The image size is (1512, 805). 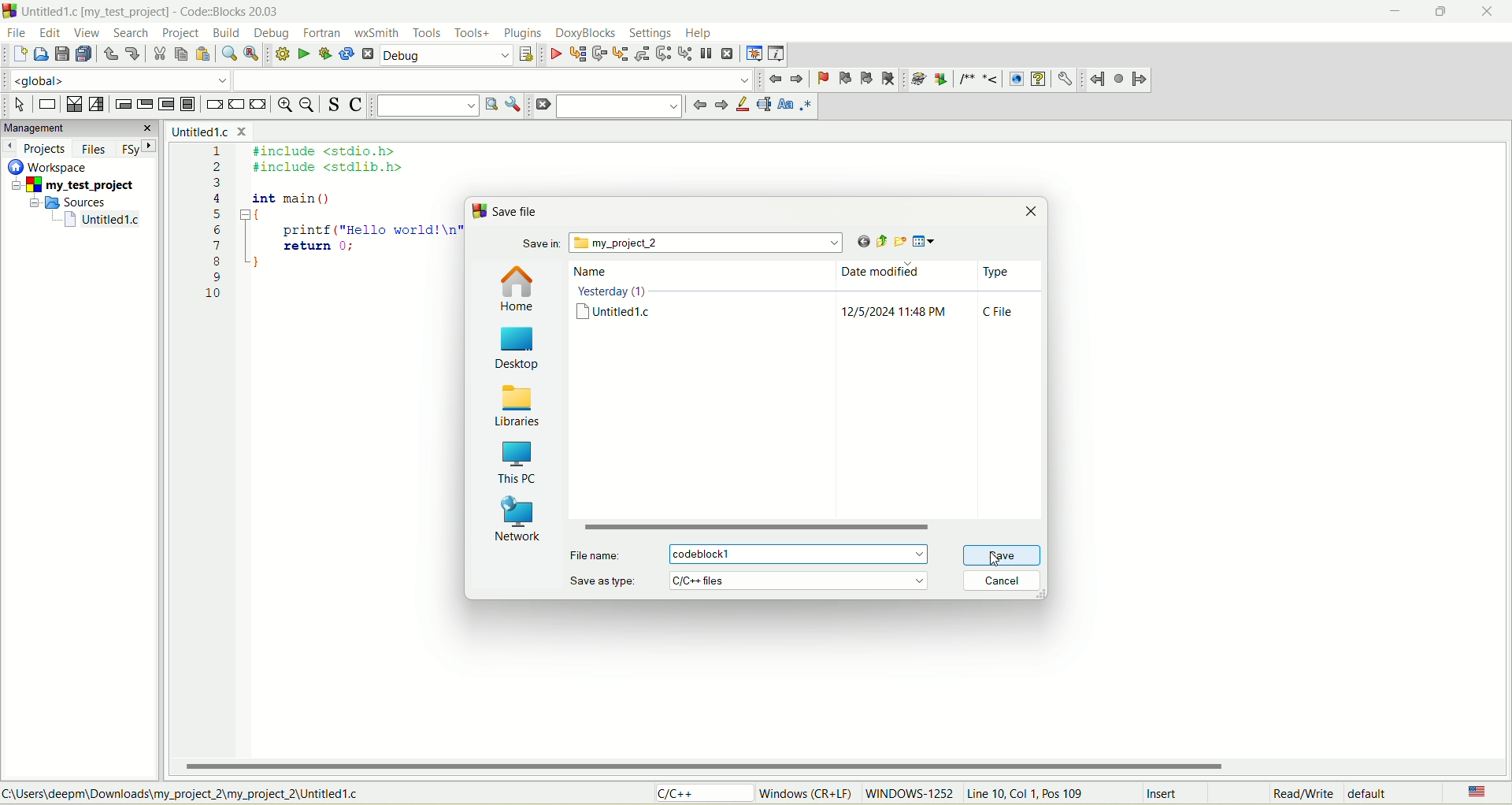 What do you see at coordinates (586, 34) in the screenshot?
I see `doxyblocks` at bounding box center [586, 34].